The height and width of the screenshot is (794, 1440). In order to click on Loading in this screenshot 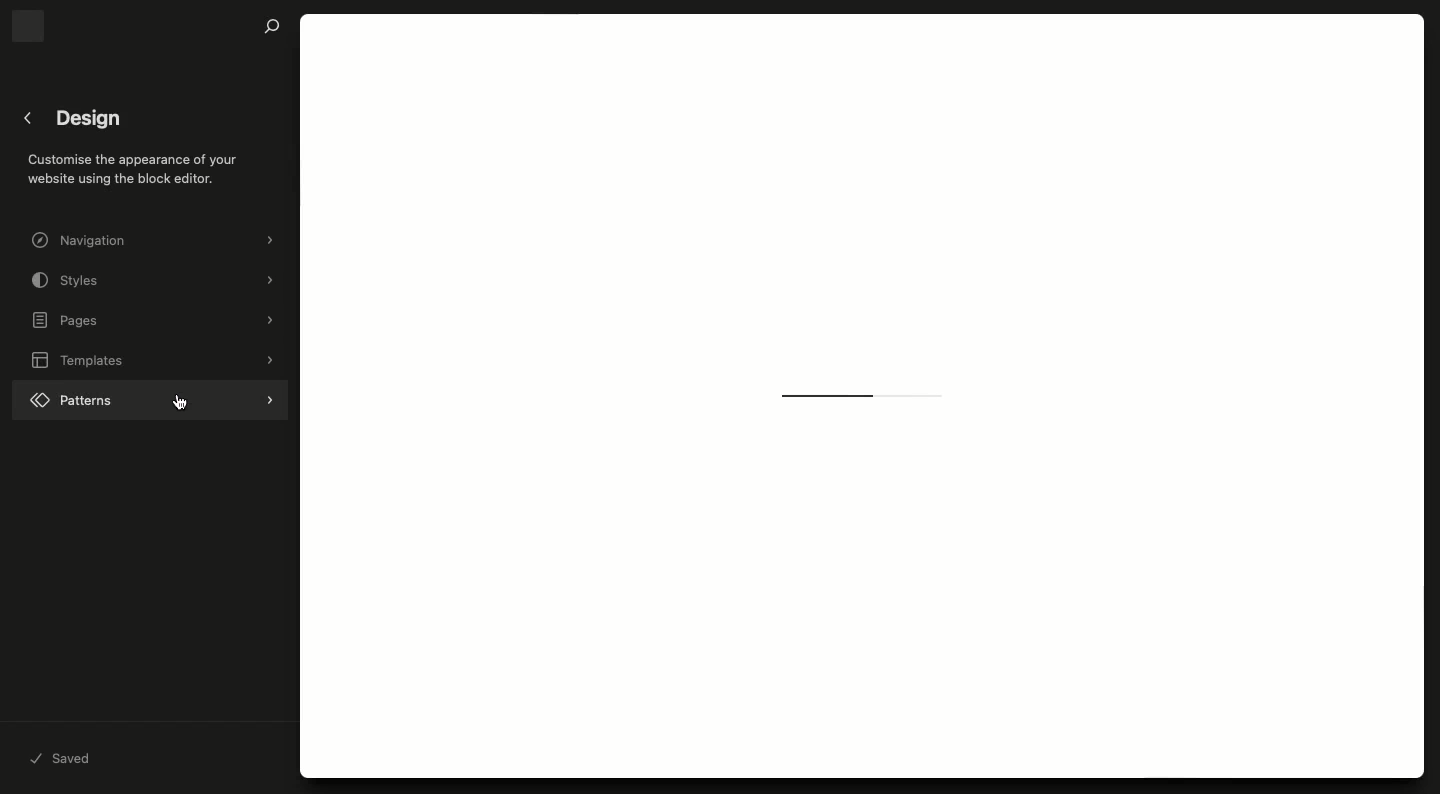, I will do `click(866, 395)`.